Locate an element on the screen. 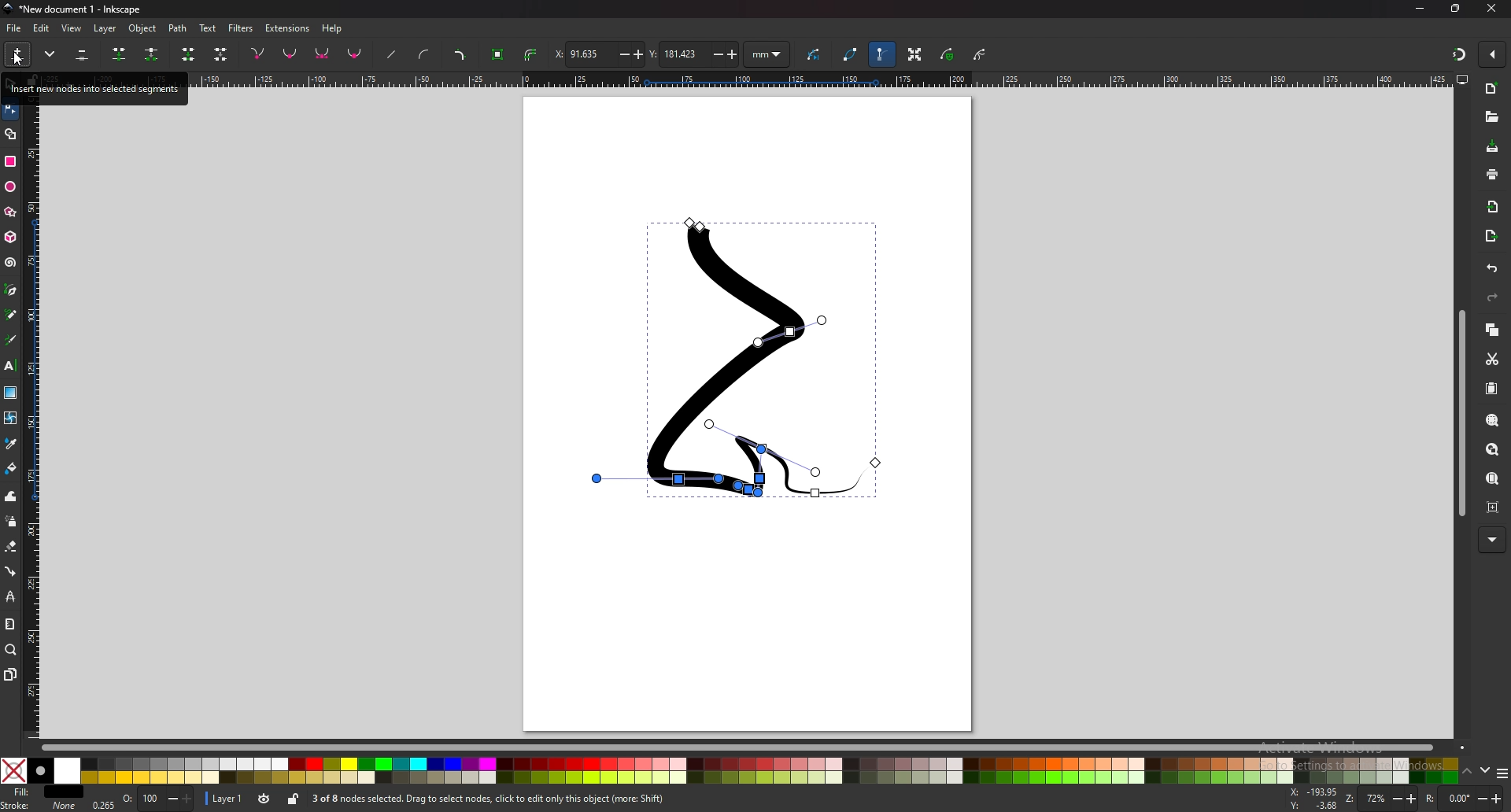  next path effect parameter is located at coordinates (815, 55).